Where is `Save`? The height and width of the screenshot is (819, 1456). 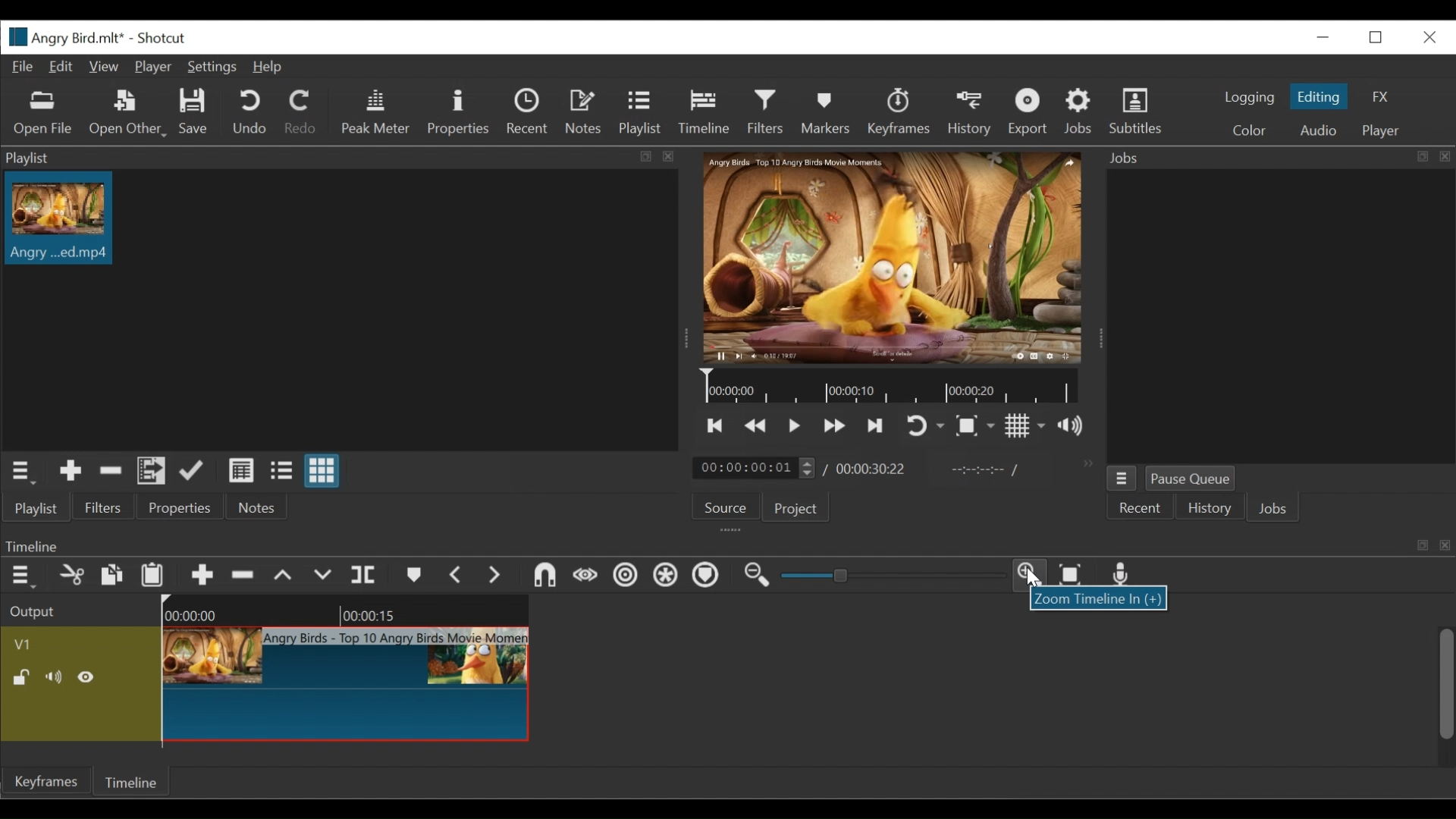
Save is located at coordinates (194, 112).